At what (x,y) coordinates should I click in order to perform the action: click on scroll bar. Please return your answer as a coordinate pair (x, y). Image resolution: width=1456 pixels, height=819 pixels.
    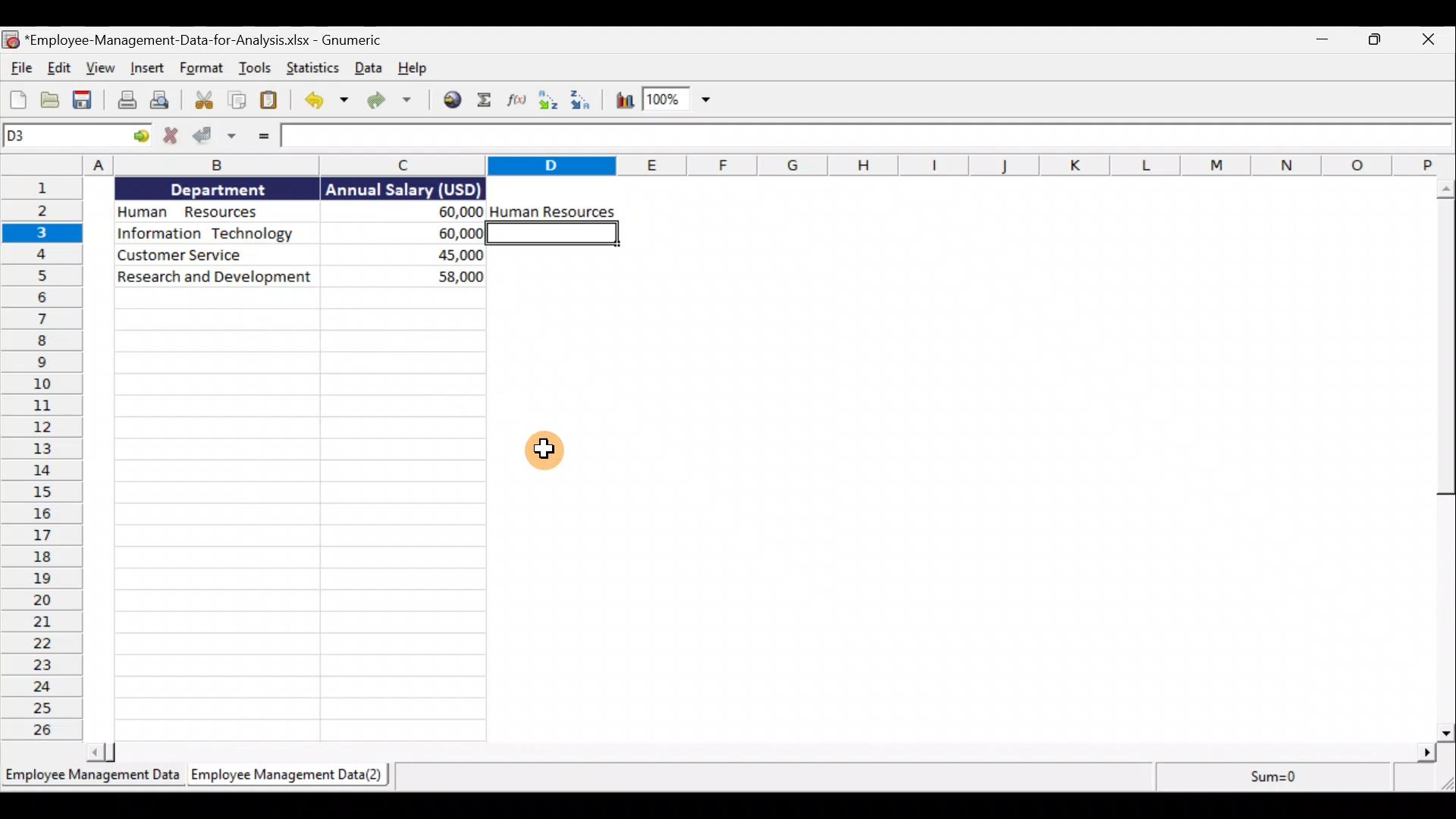
    Looking at the image, I should click on (752, 752).